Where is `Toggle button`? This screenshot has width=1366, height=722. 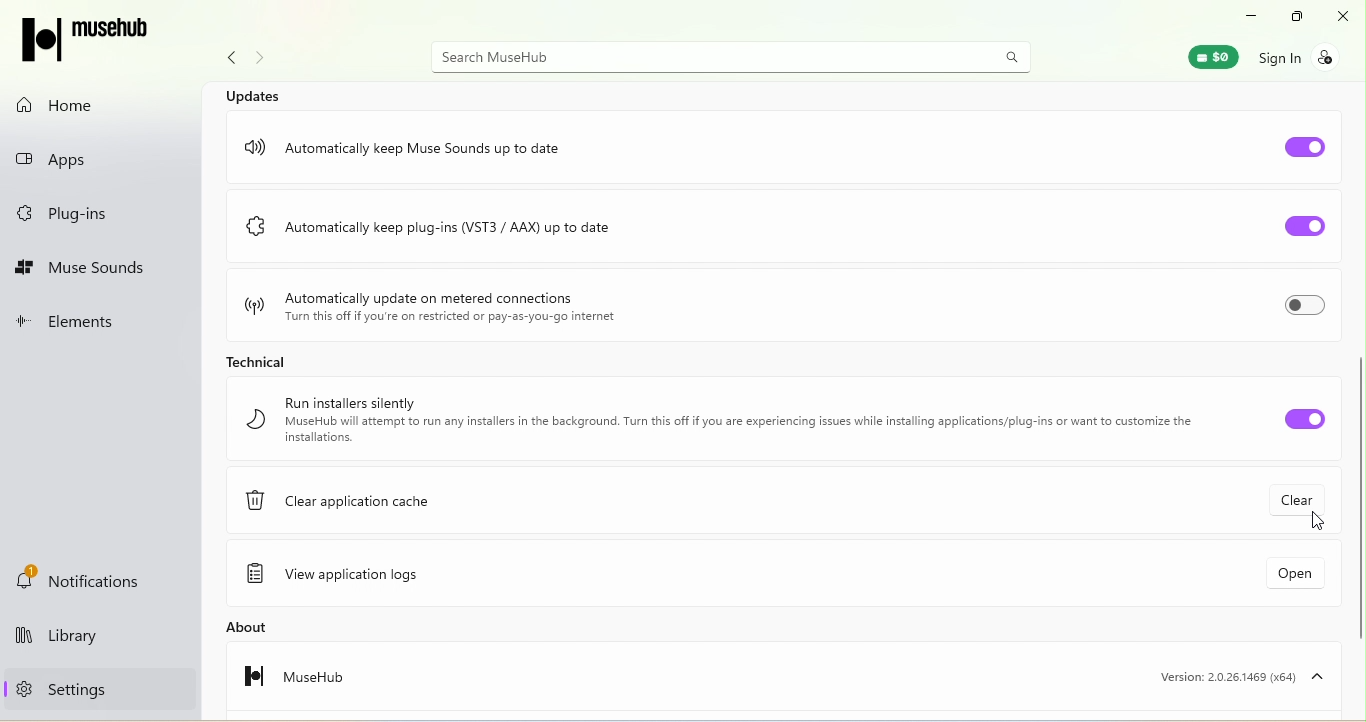 Toggle button is located at coordinates (1295, 228).